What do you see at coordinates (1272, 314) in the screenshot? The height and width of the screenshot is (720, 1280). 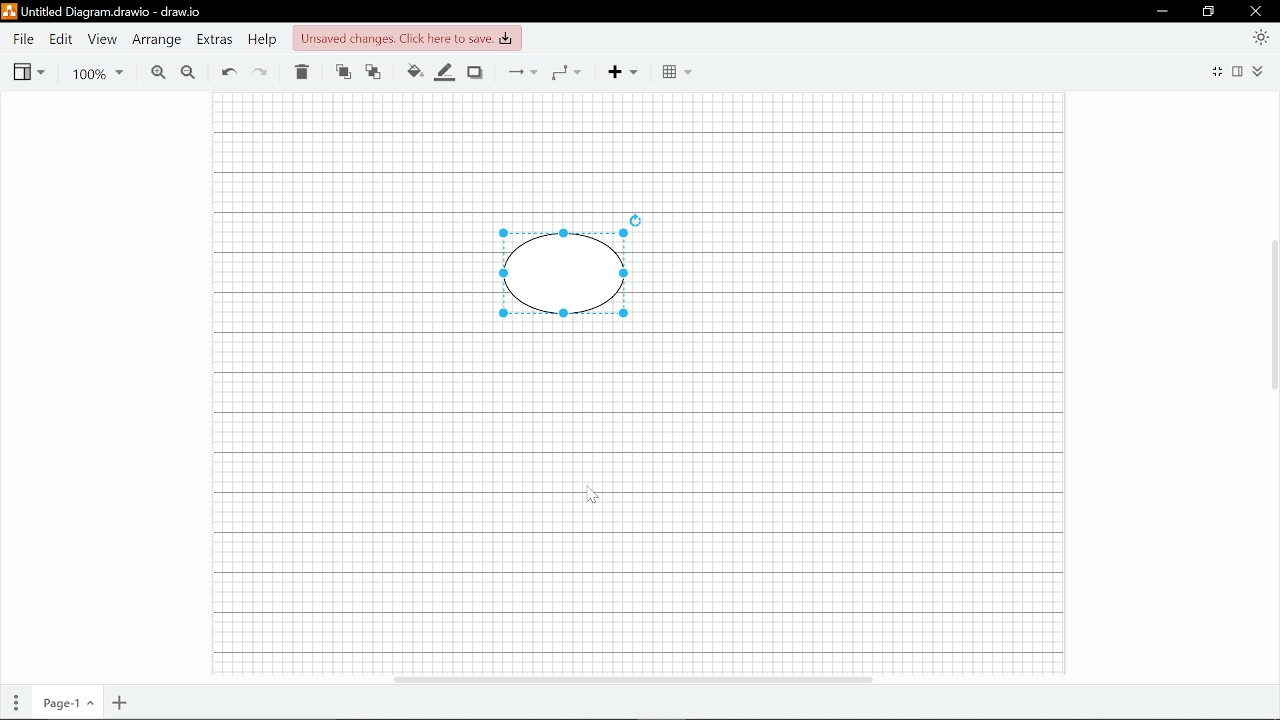 I see `Vertical scrollbar` at bounding box center [1272, 314].